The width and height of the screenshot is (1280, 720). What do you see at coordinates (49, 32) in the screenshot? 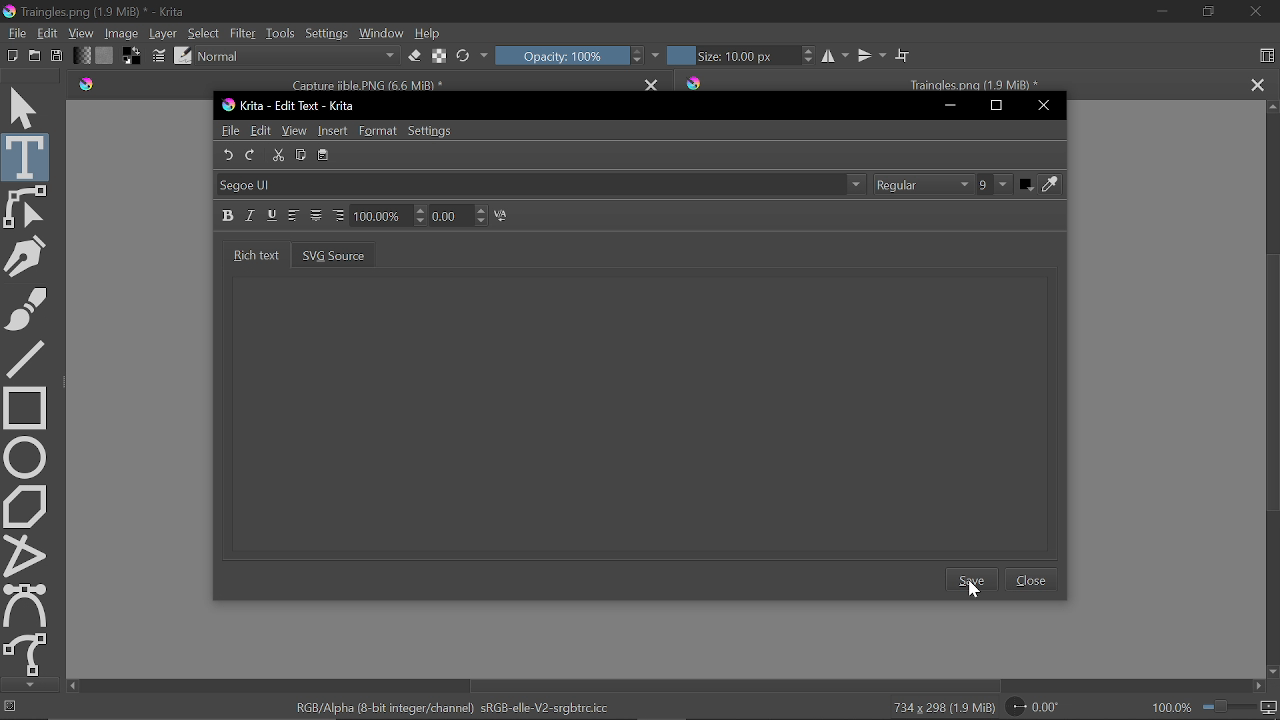
I see `Edit` at bounding box center [49, 32].